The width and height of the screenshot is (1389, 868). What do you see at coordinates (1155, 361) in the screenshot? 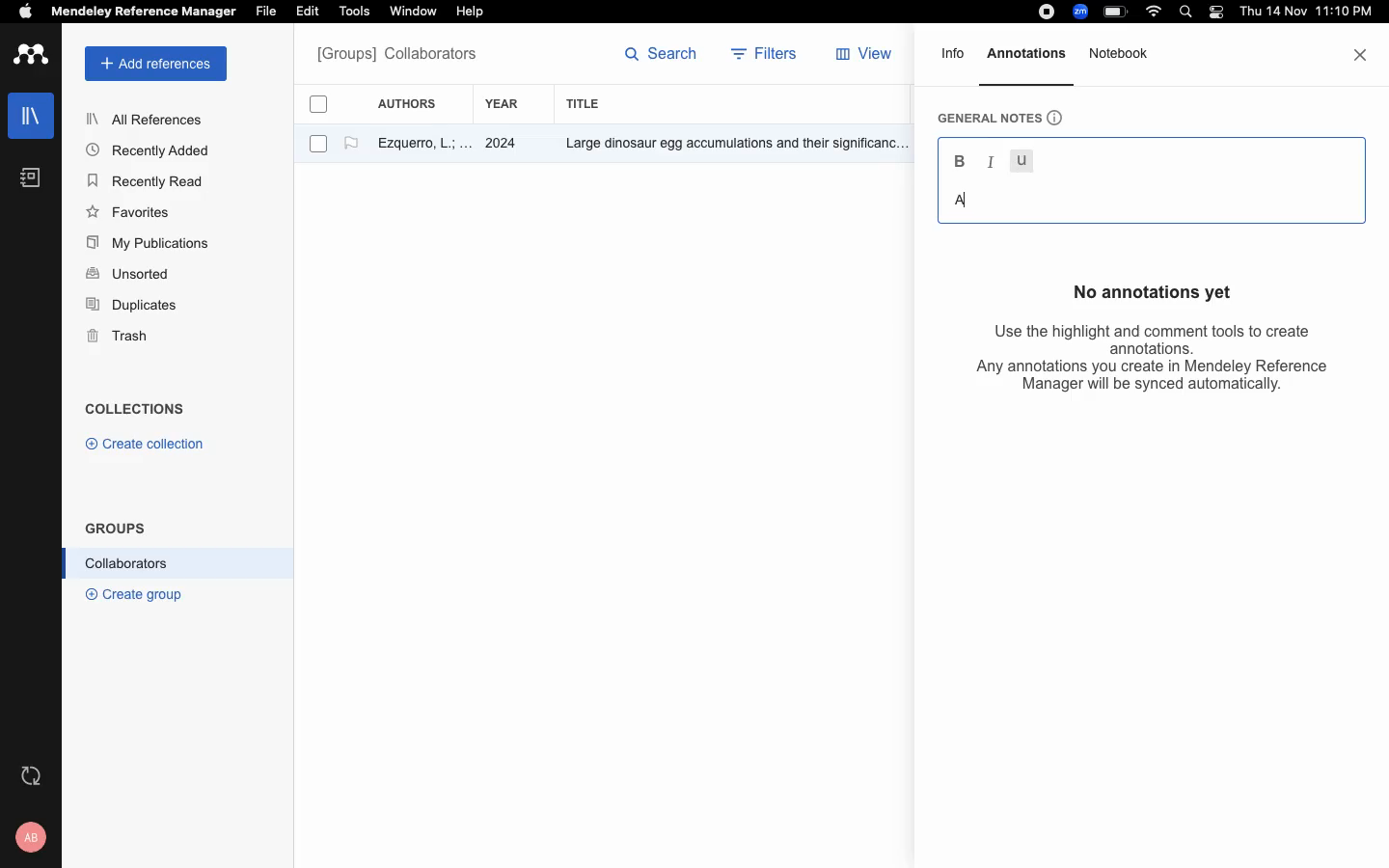
I see `Use the highlight and comment tools to create
annotations.
Any annotations you create in Mendeley Reference
Manager will be synced automatically.` at bounding box center [1155, 361].